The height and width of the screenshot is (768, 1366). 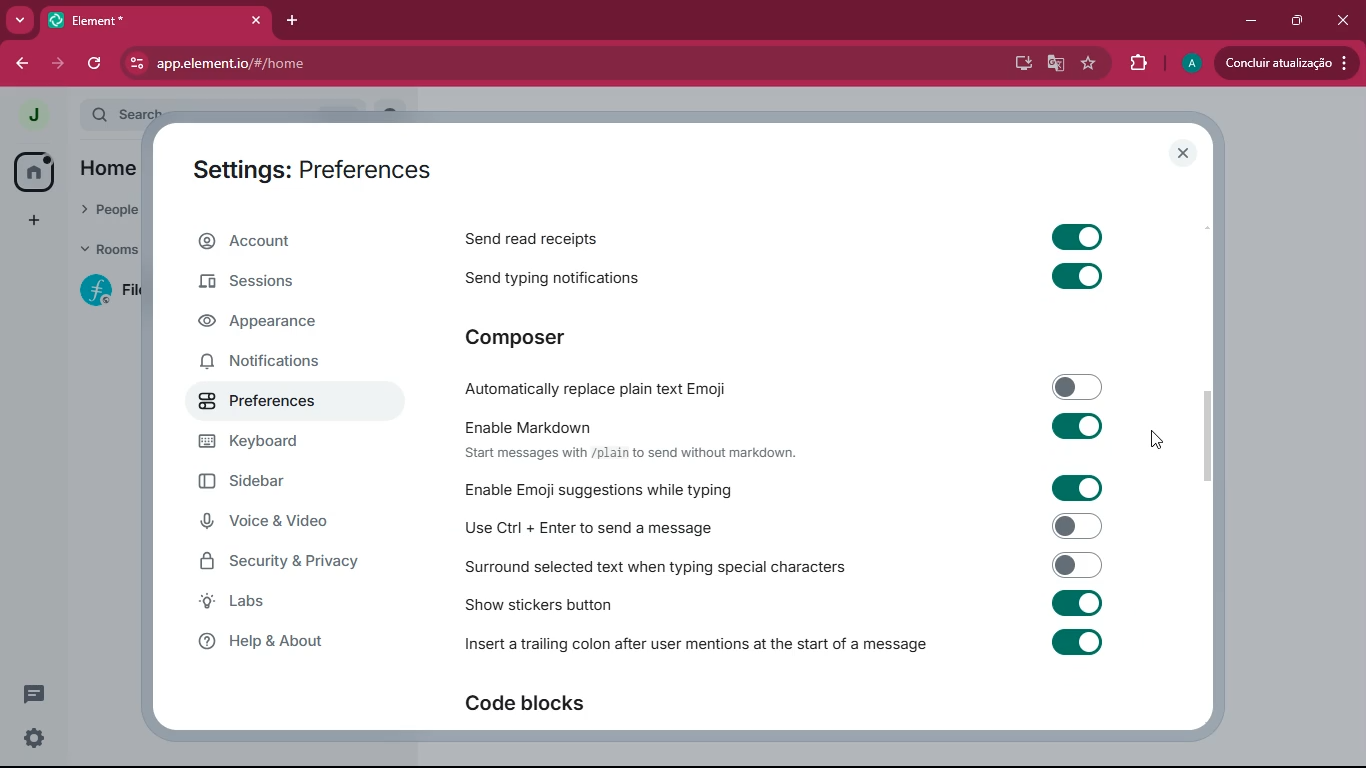 I want to click on enable markdown, so click(x=528, y=427).